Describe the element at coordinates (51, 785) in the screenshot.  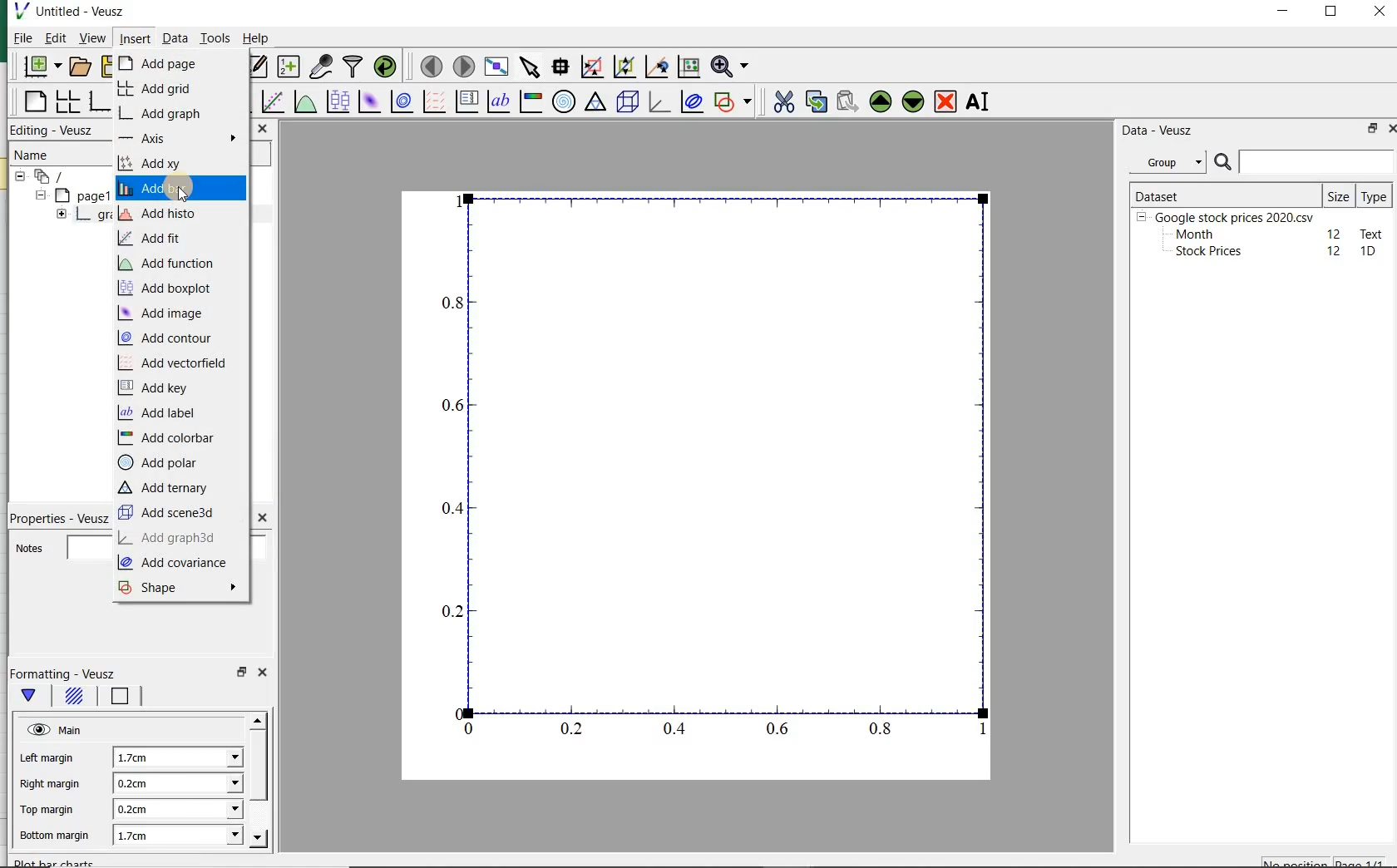
I see `Right margin` at that location.